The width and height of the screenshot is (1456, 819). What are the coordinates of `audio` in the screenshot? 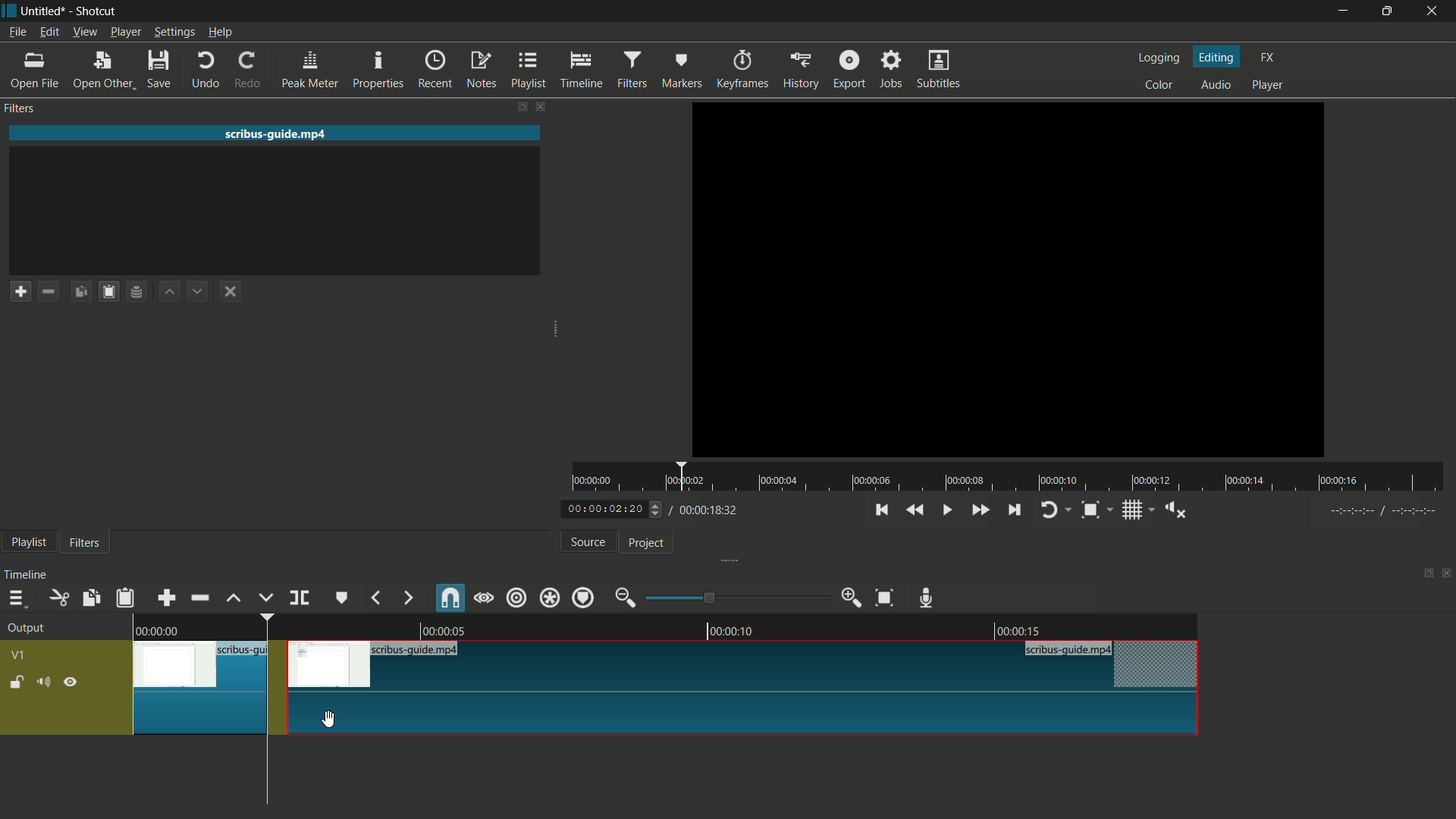 It's located at (1216, 86).